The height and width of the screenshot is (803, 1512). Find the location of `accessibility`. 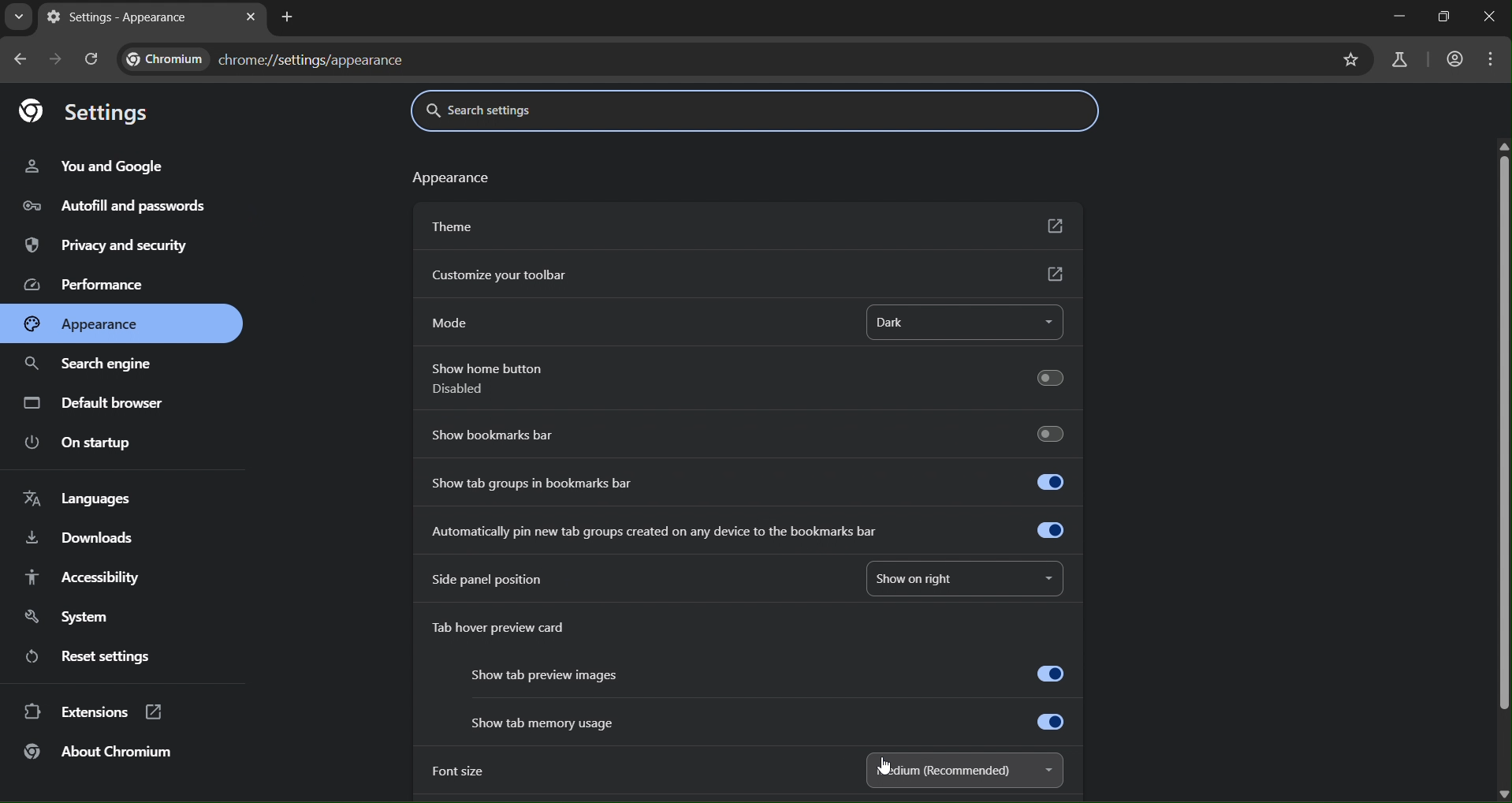

accessibility is located at coordinates (78, 575).